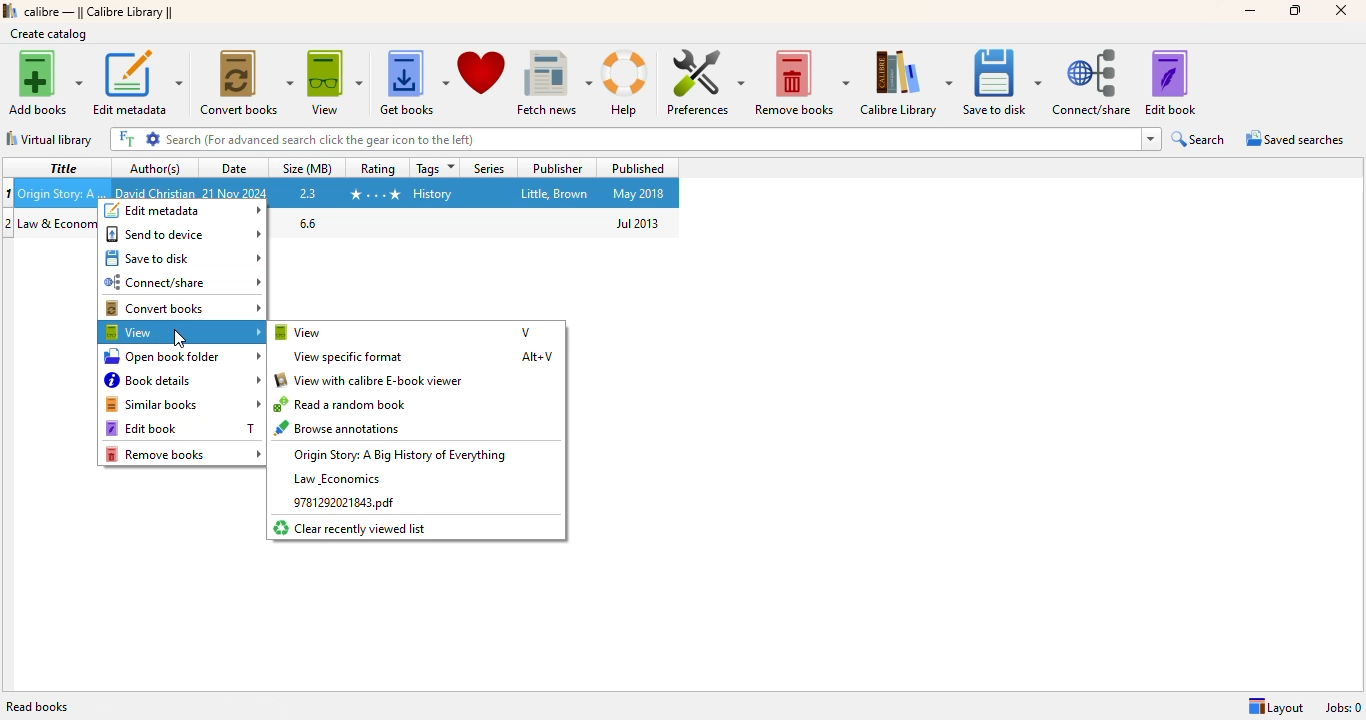  Describe the element at coordinates (377, 167) in the screenshot. I see `rating` at that location.